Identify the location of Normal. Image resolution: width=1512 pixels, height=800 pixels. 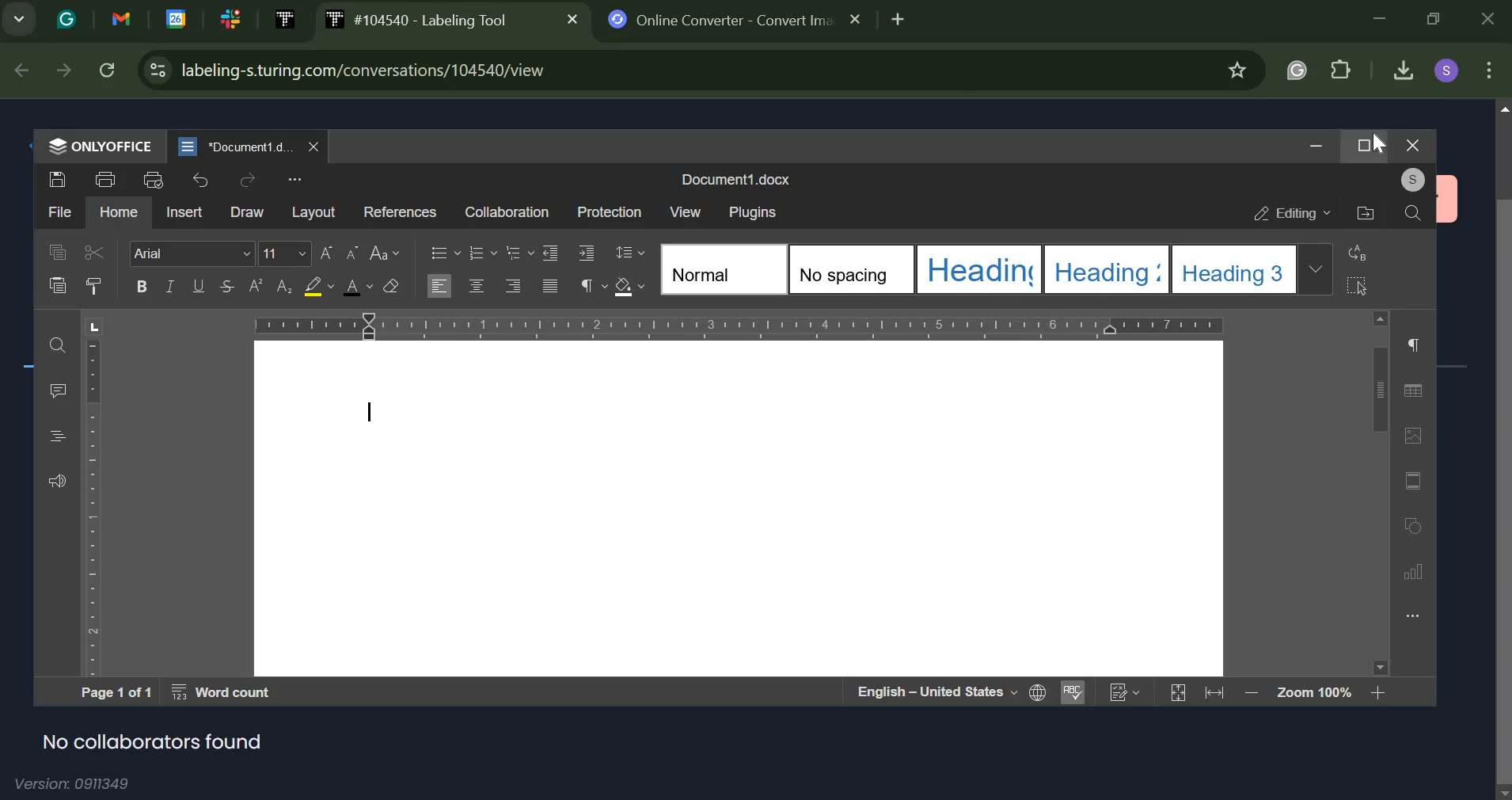
(728, 270).